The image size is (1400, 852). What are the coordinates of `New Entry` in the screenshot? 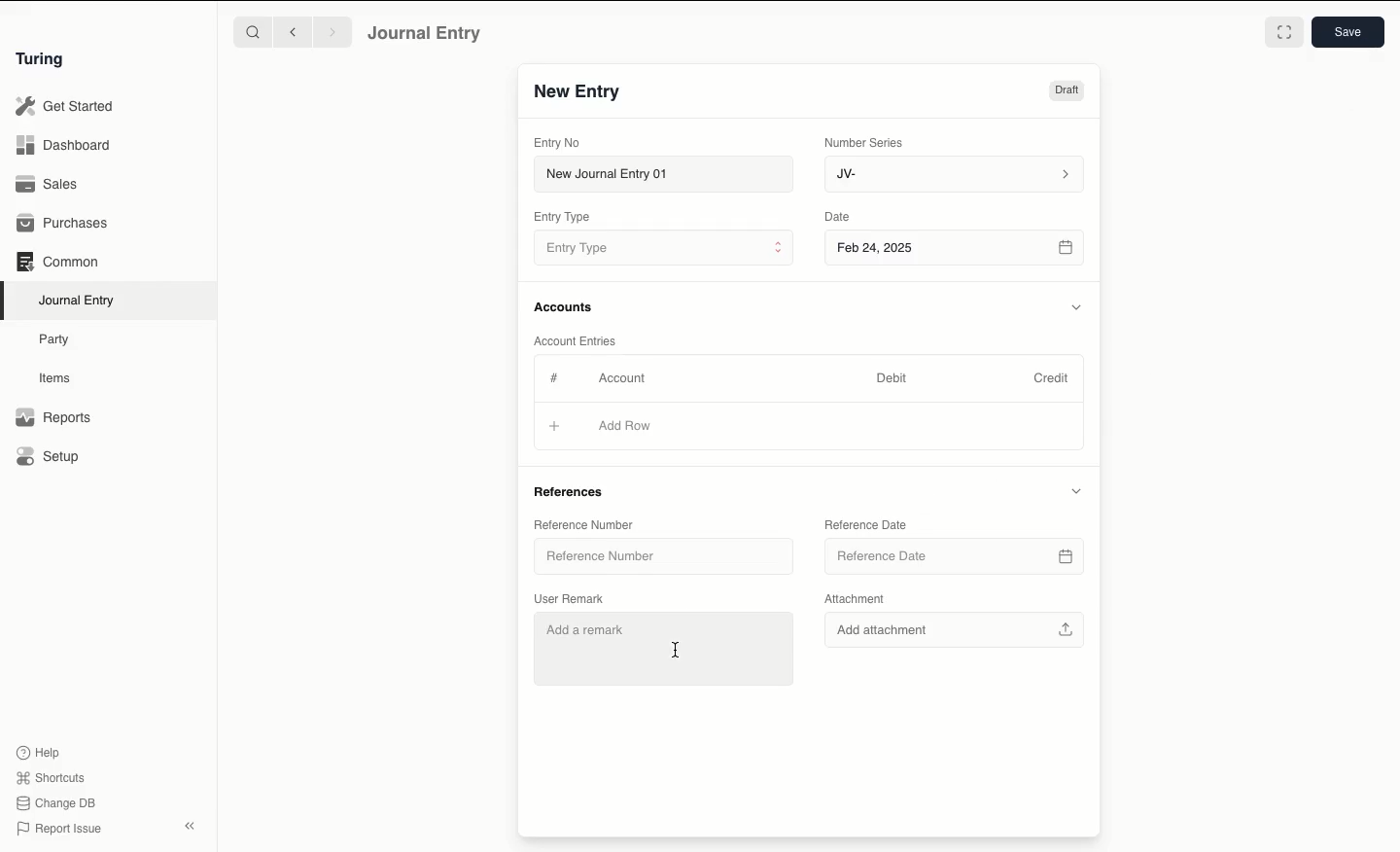 It's located at (578, 92).